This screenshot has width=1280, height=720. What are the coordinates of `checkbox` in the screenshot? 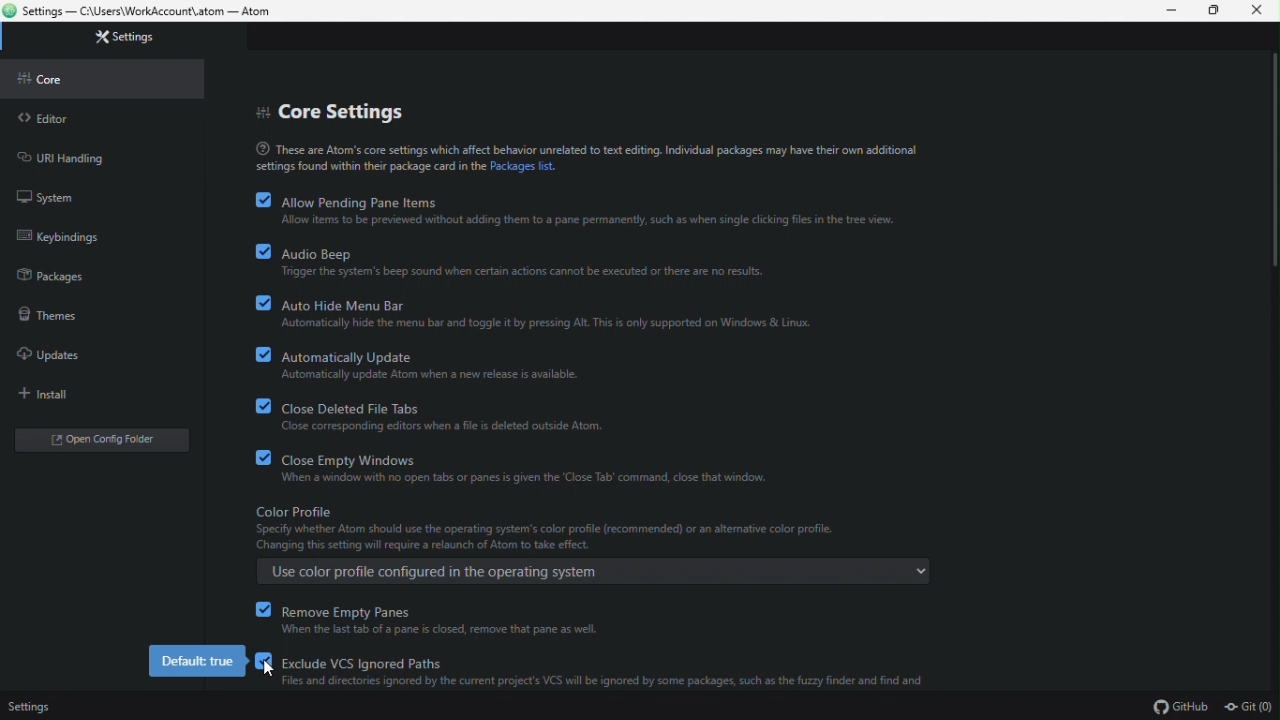 It's located at (265, 611).